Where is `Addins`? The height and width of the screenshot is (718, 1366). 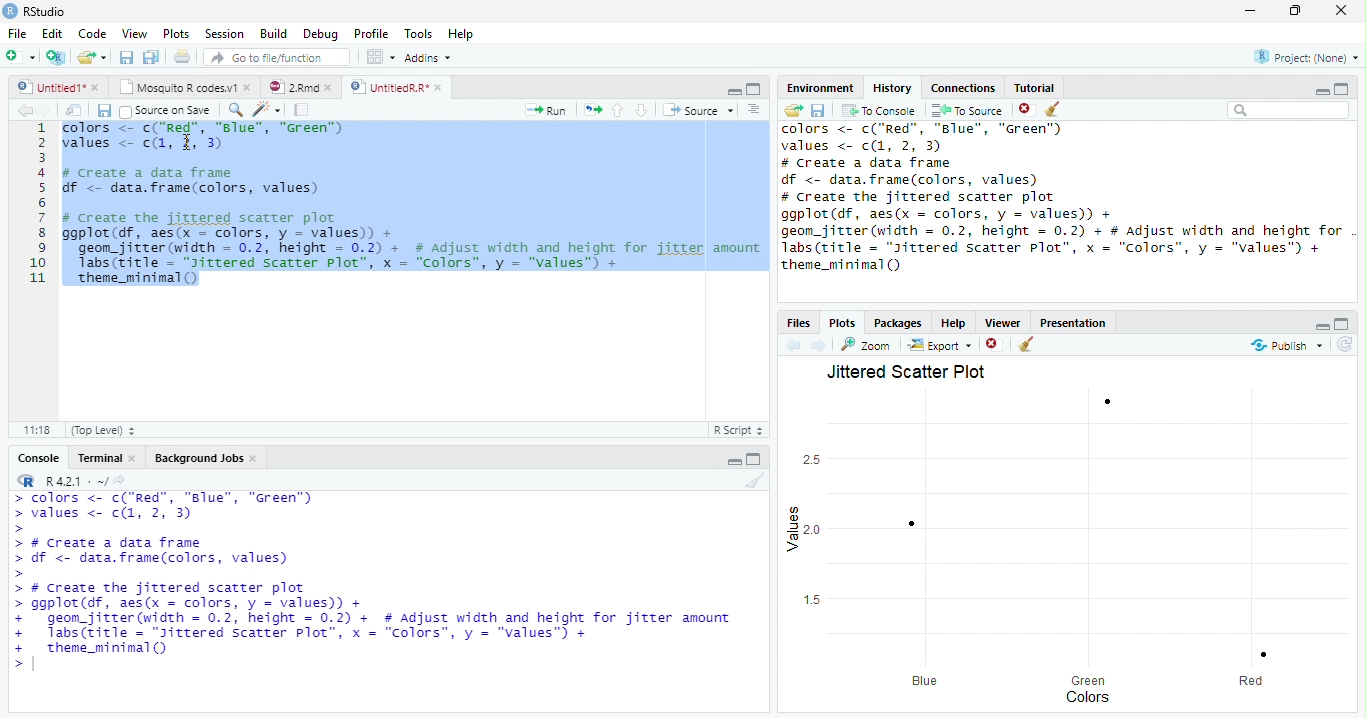 Addins is located at coordinates (428, 58).